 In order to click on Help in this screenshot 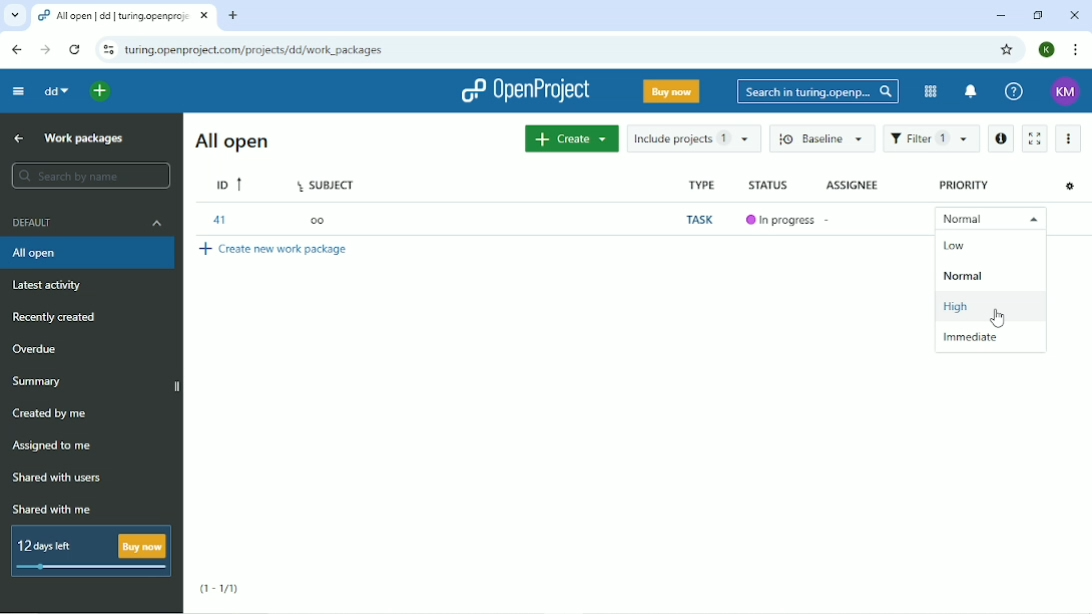, I will do `click(1013, 91)`.